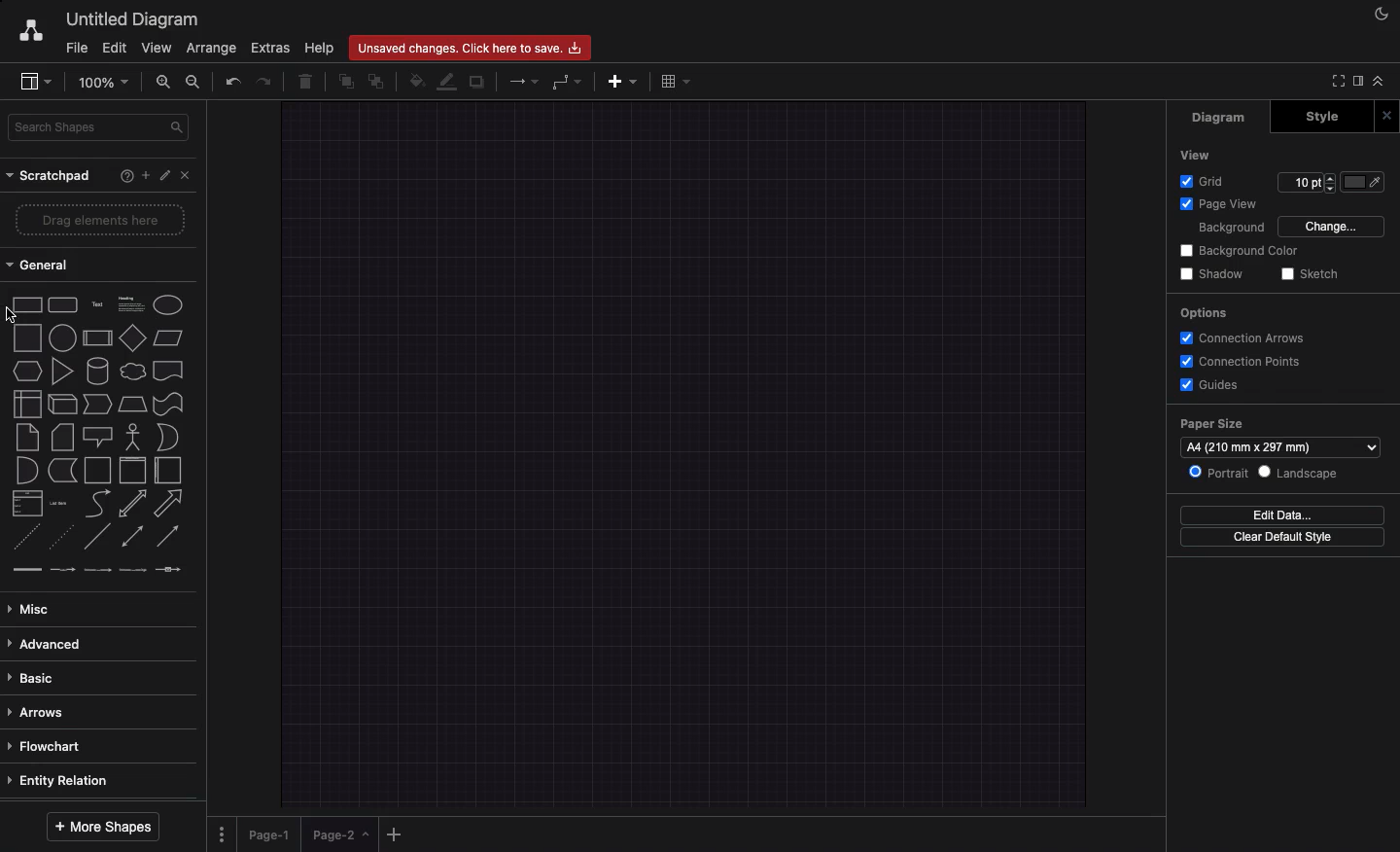 The image size is (1400, 852). Describe the element at coordinates (1301, 473) in the screenshot. I see `Landscape` at that location.